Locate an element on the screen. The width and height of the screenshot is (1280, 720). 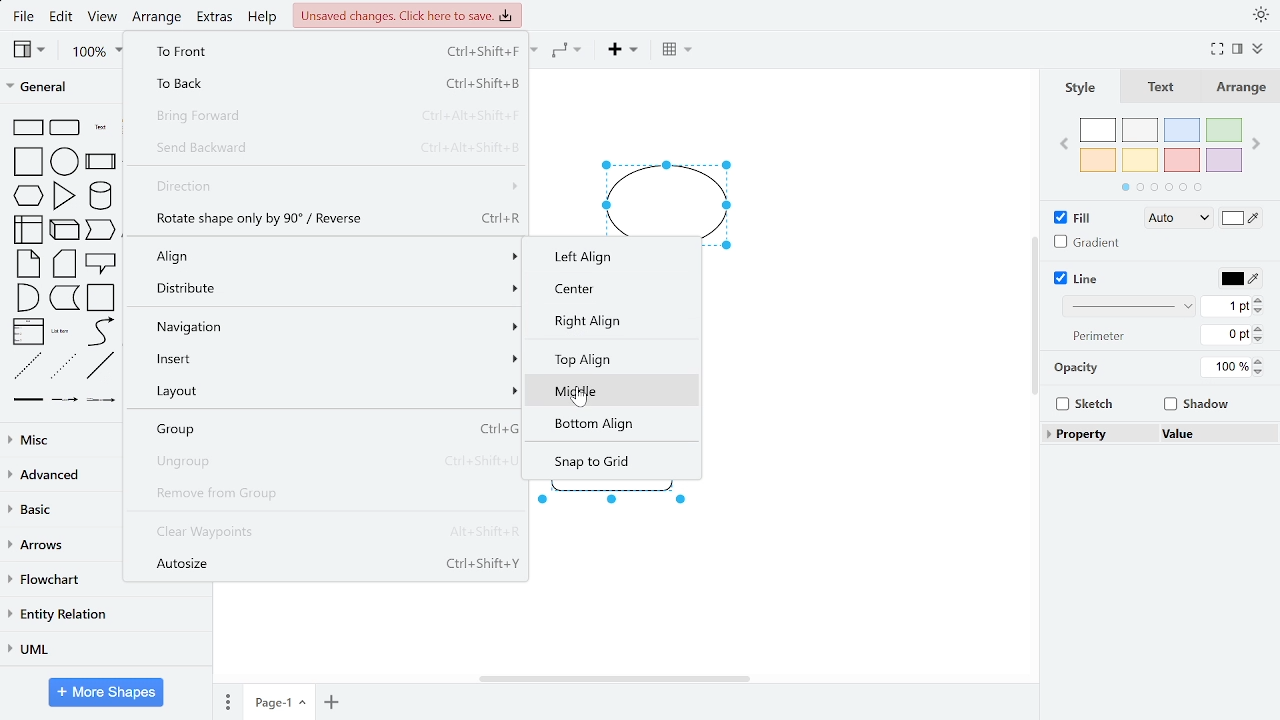
to back is located at coordinates (332, 83).